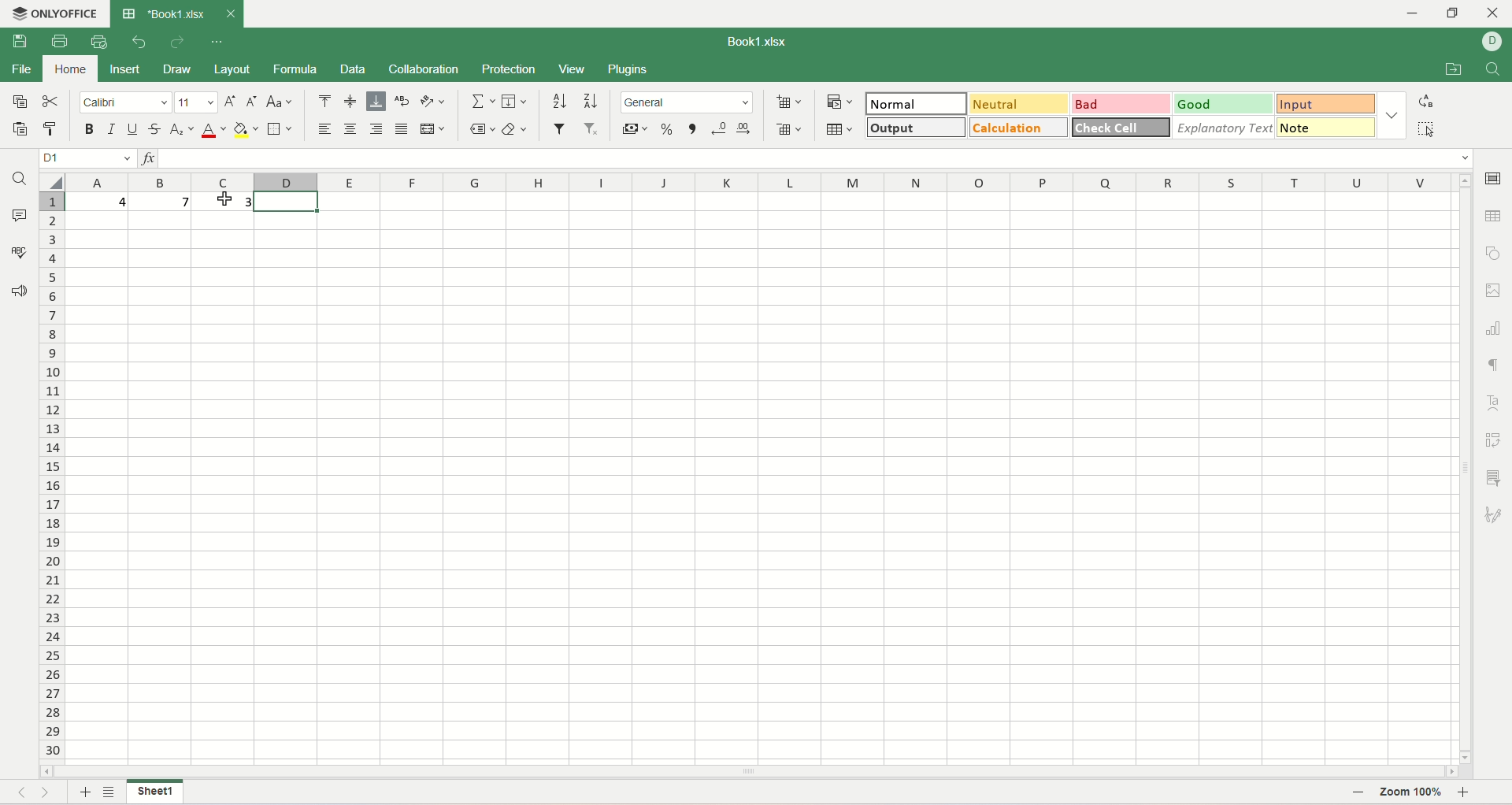  I want to click on application icon, so click(14, 12).